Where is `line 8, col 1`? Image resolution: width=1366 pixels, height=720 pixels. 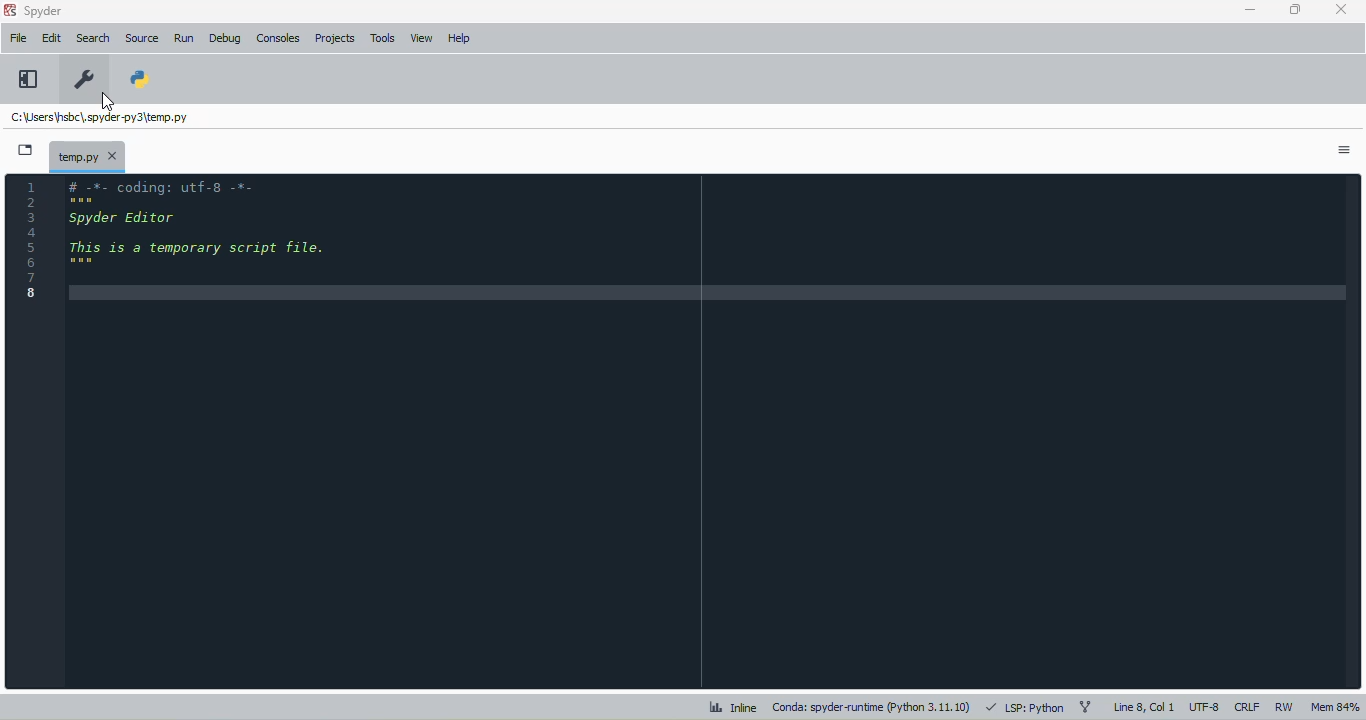
line 8, col 1 is located at coordinates (1144, 707).